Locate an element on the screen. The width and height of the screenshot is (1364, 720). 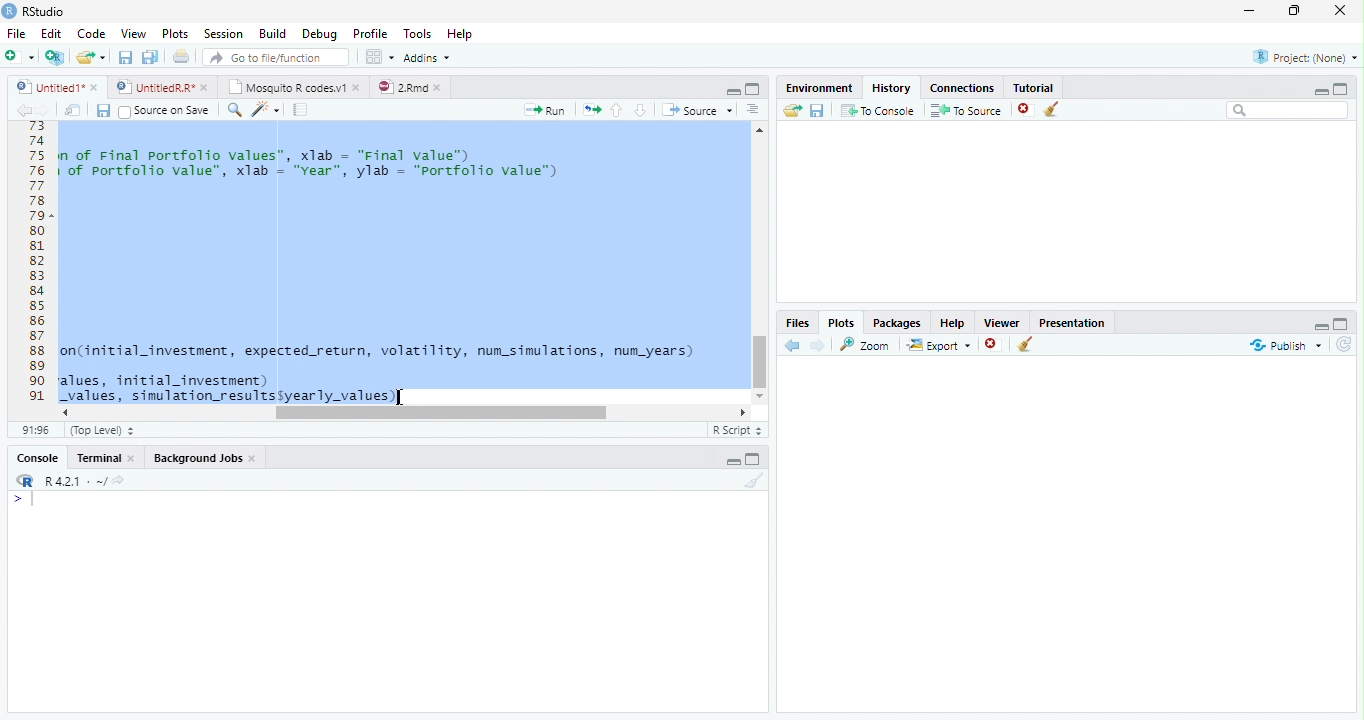
Save current file is located at coordinates (124, 57).